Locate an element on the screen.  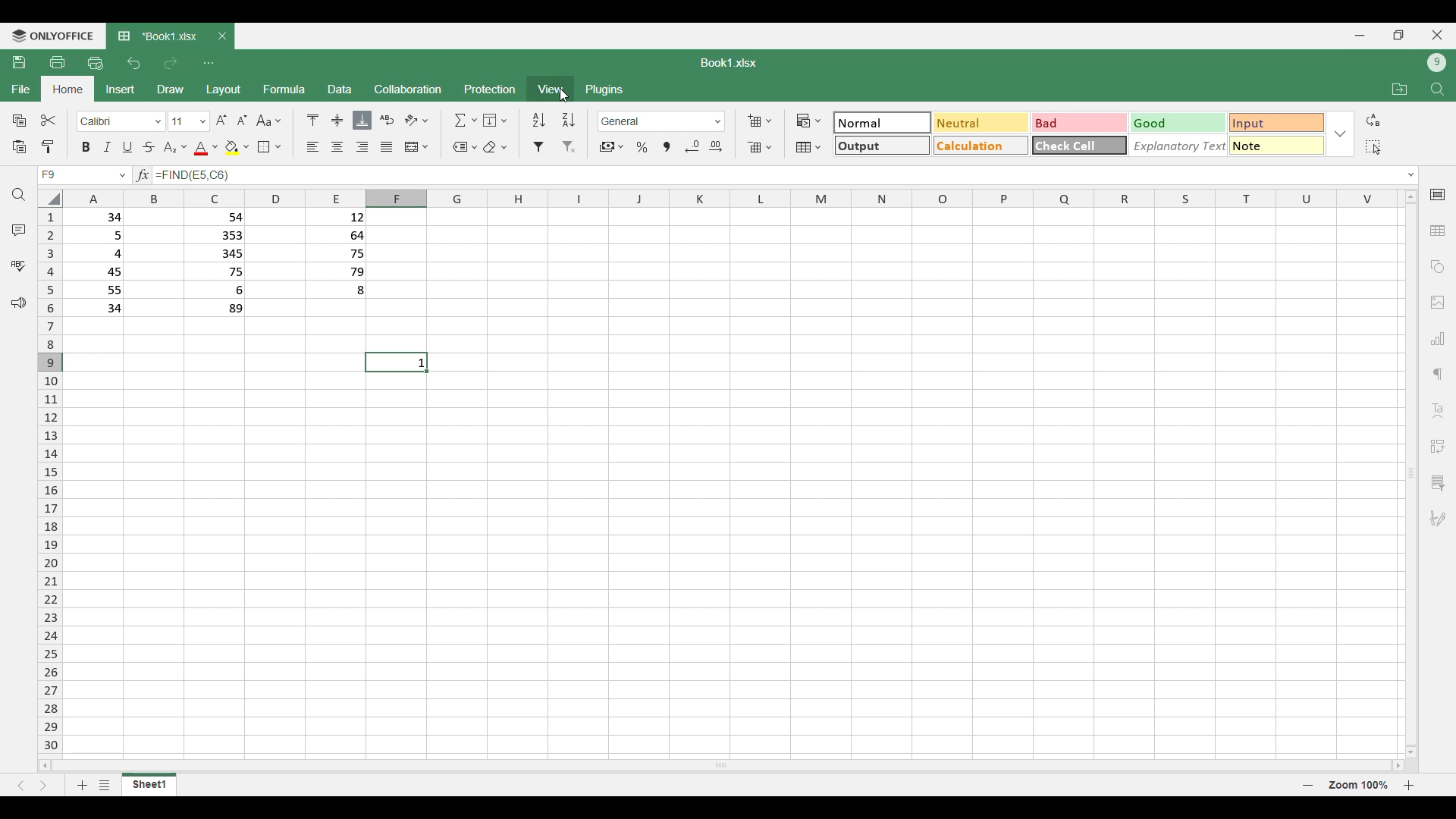
Add table is located at coordinates (1438, 231).